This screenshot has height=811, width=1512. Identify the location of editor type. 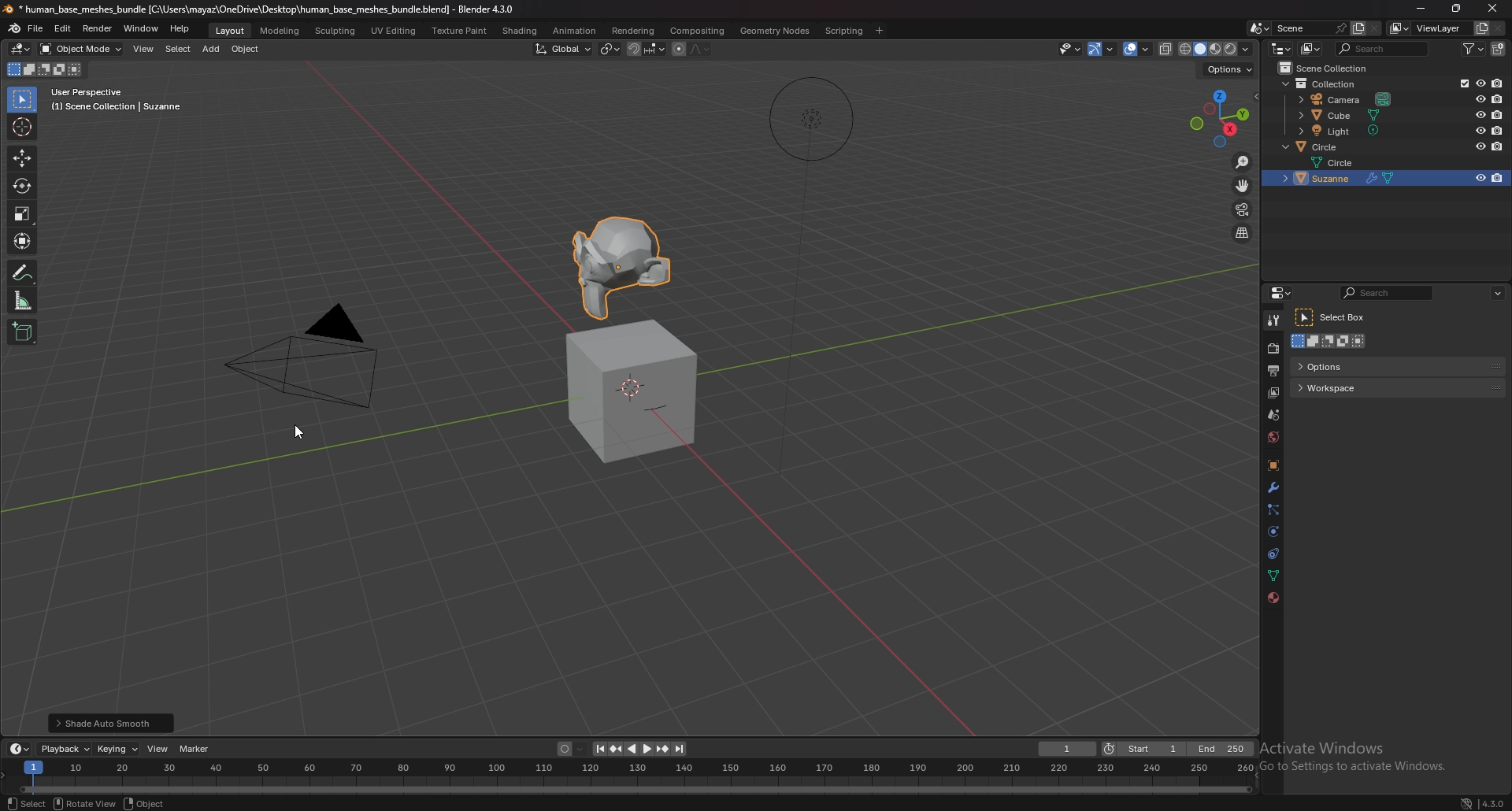
(20, 749).